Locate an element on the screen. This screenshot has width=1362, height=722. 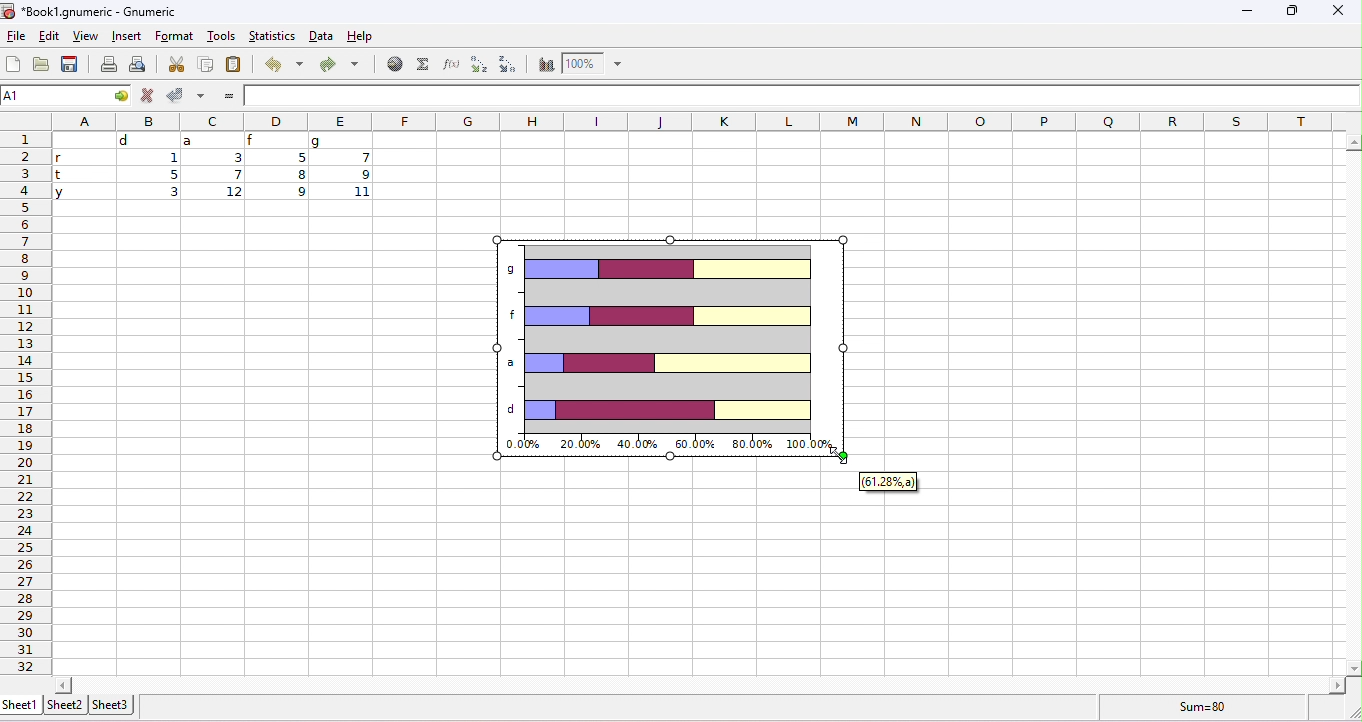
view is located at coordinates (85, 36).